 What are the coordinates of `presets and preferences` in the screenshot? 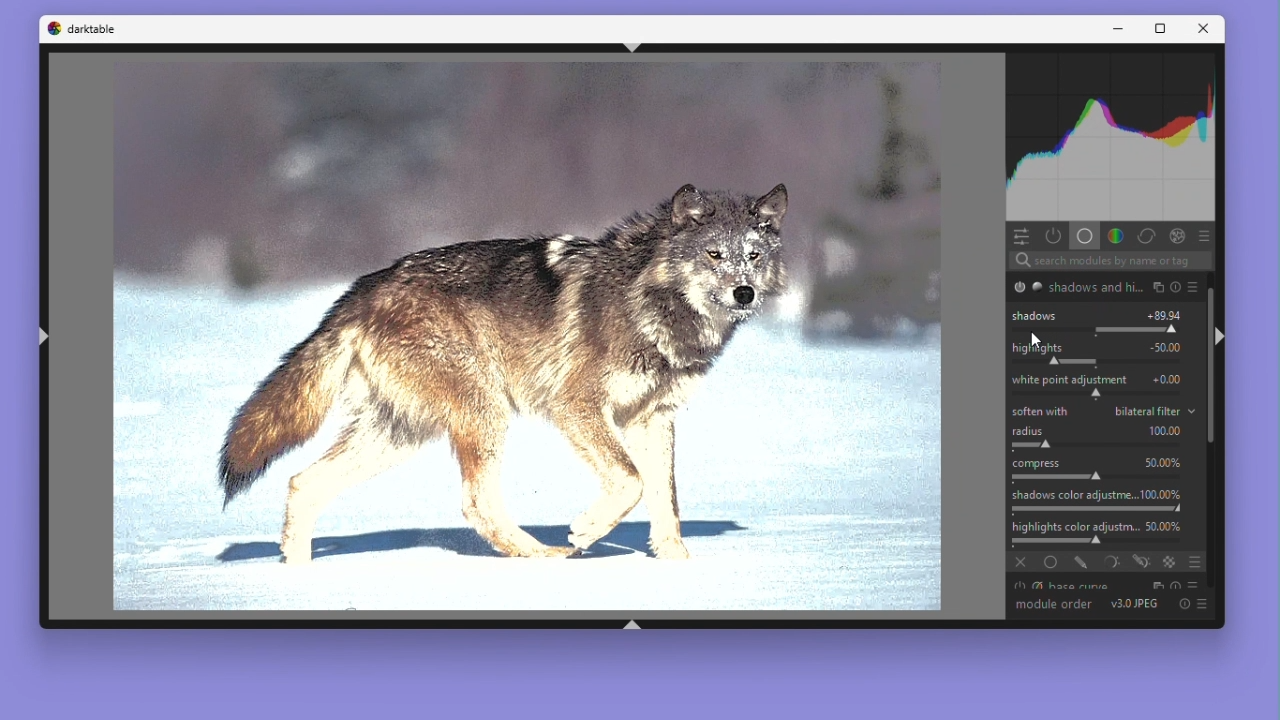 It's located at (1206, 608).